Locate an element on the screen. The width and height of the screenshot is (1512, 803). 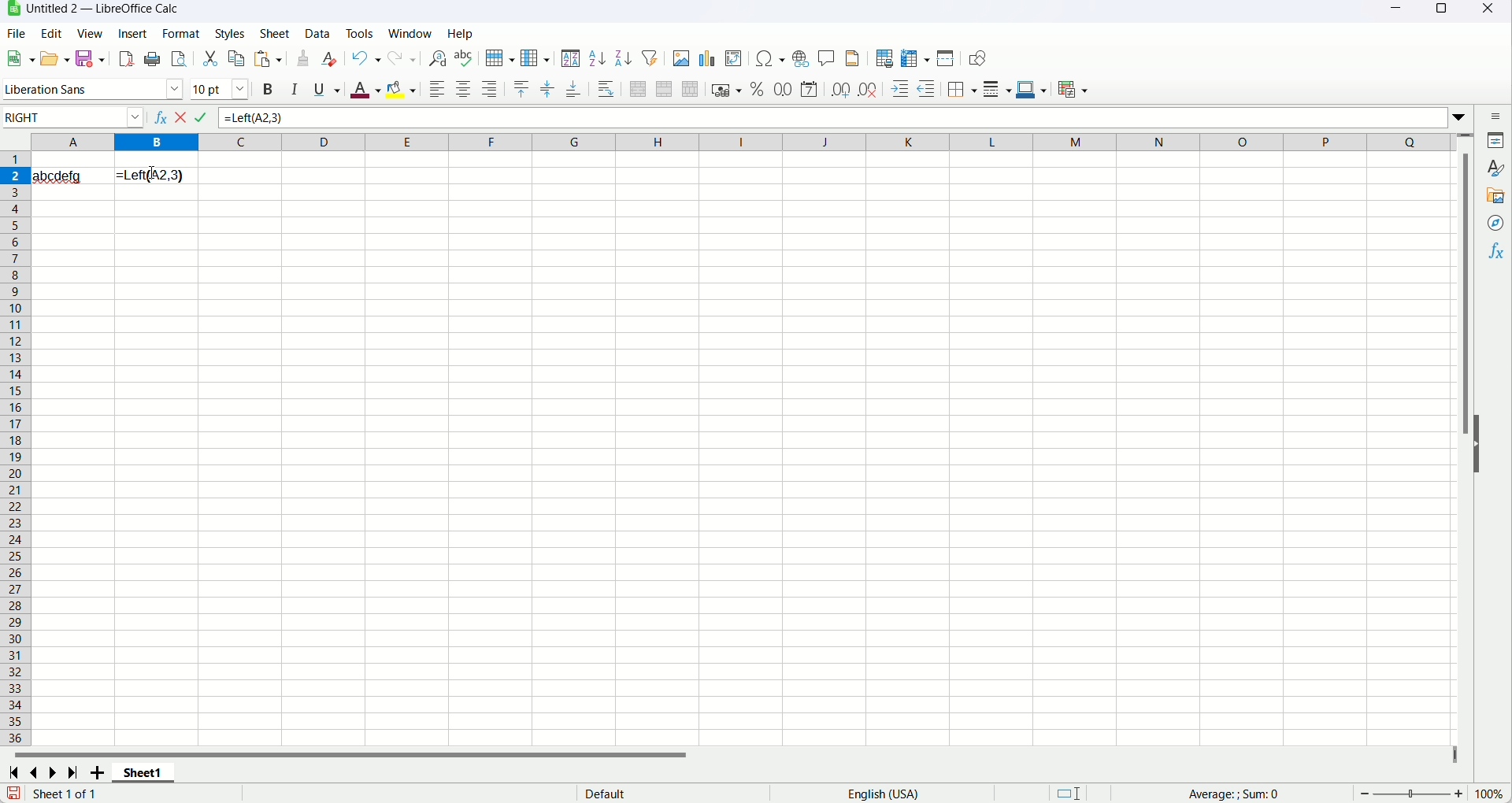
view is located at coordinates (91, 32).